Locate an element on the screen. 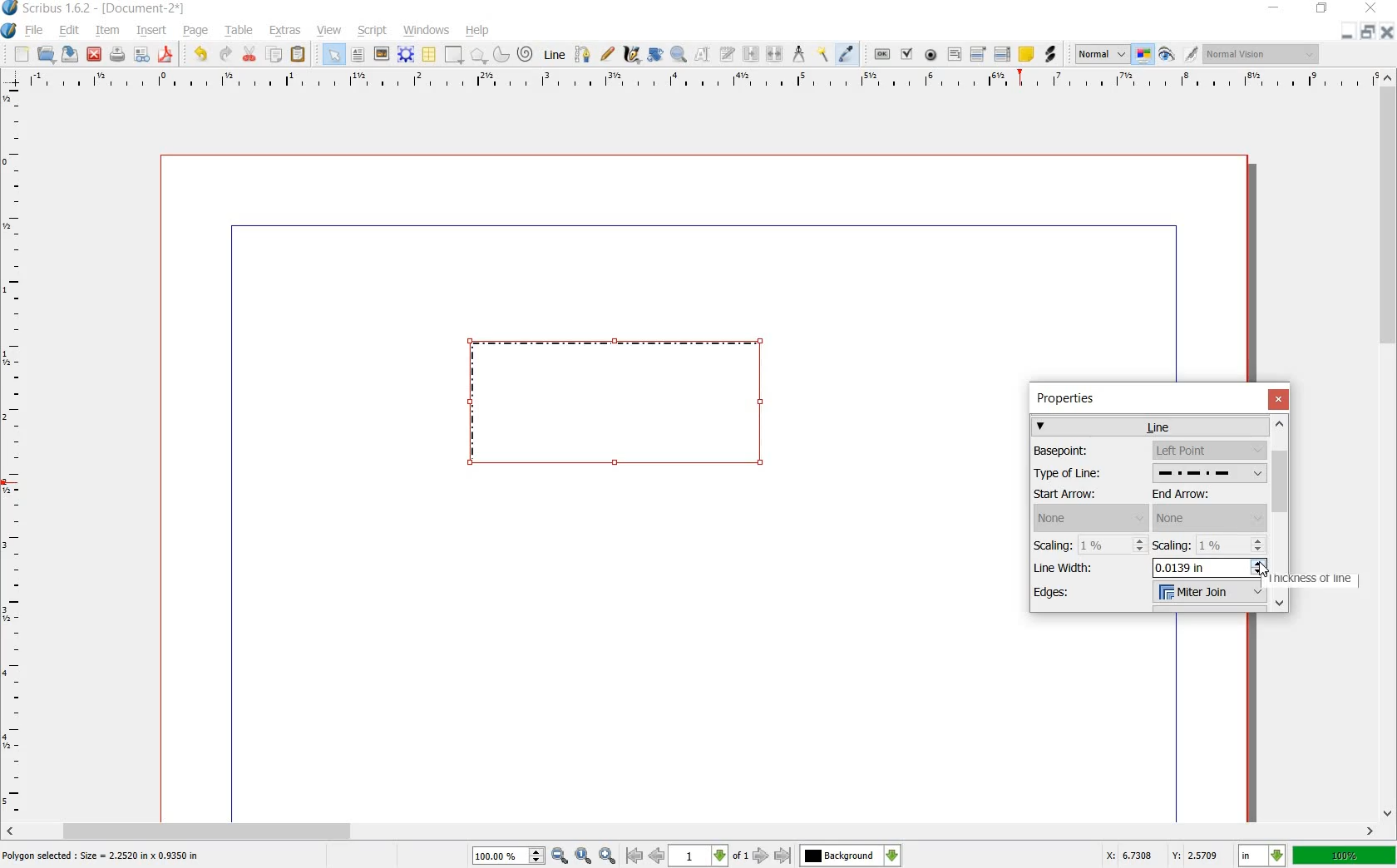  UNLINK TEXT FRAME is located at coordinates (776, 55).